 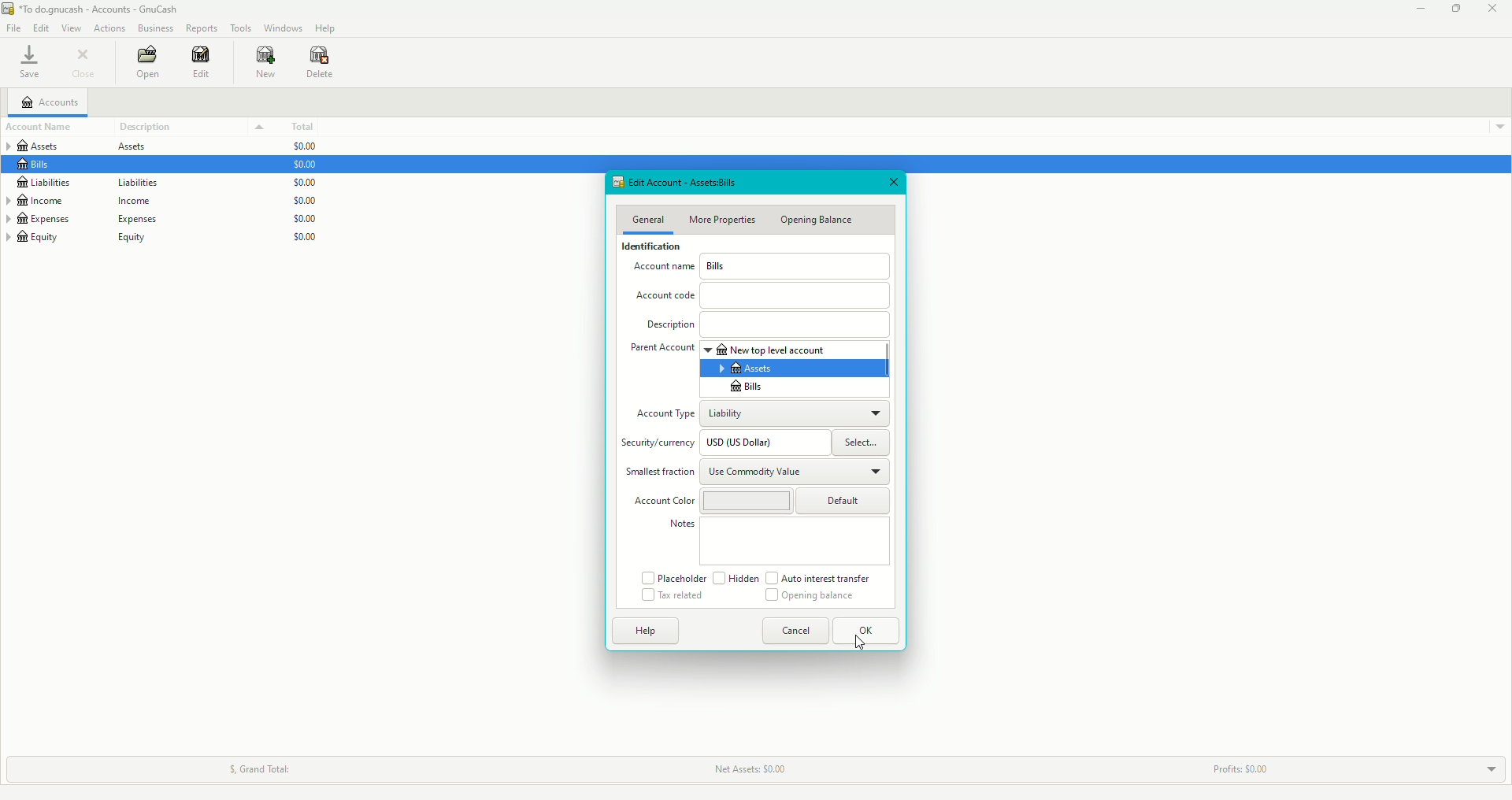 What do you see at coordinates (326, 29) in the screenshot?
I see `Help` at bounding box center [326, 29].